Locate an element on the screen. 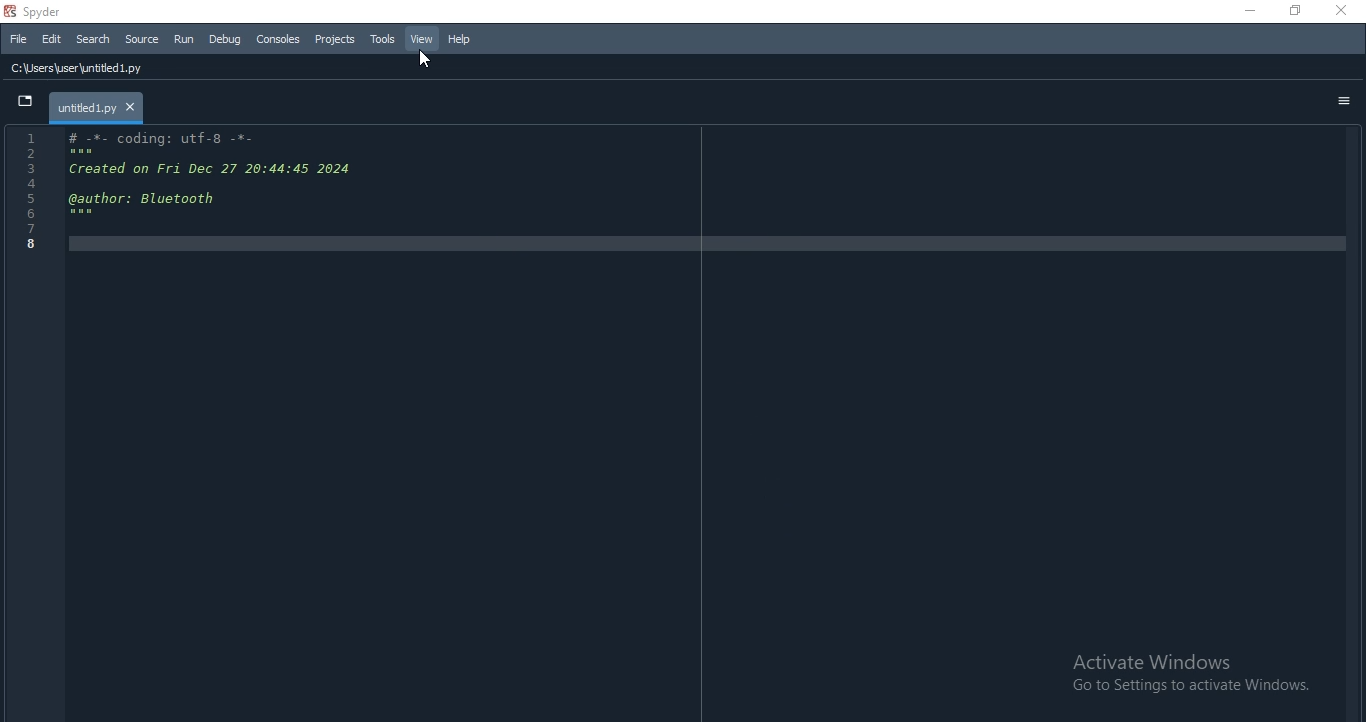 The image size is (1366, 722). Tools is located at coordinates (383, 40).